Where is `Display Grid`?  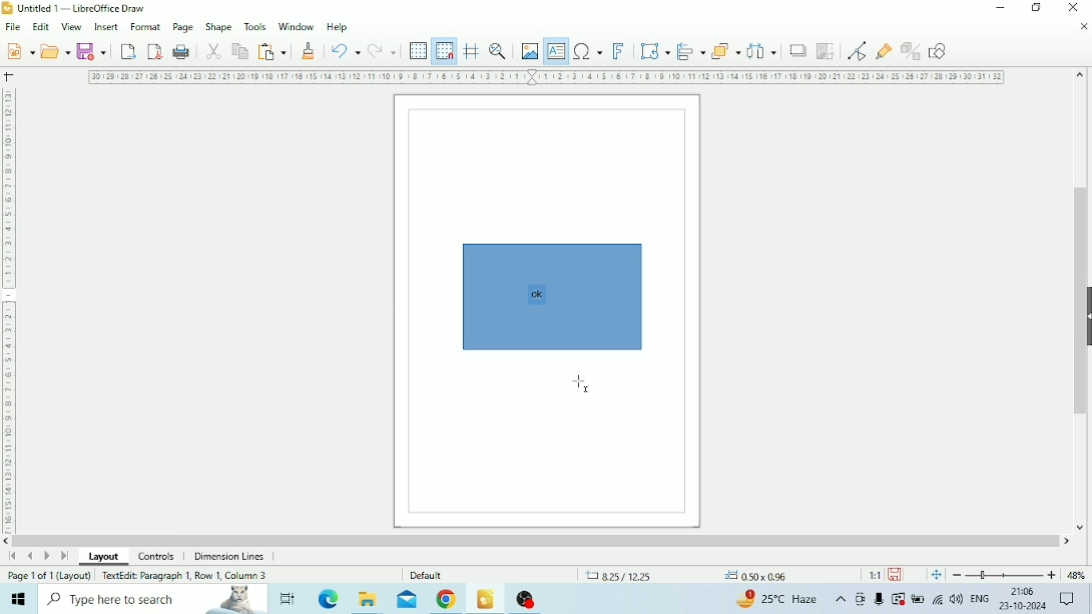
Display Grid is located at coordinates (419, 51).